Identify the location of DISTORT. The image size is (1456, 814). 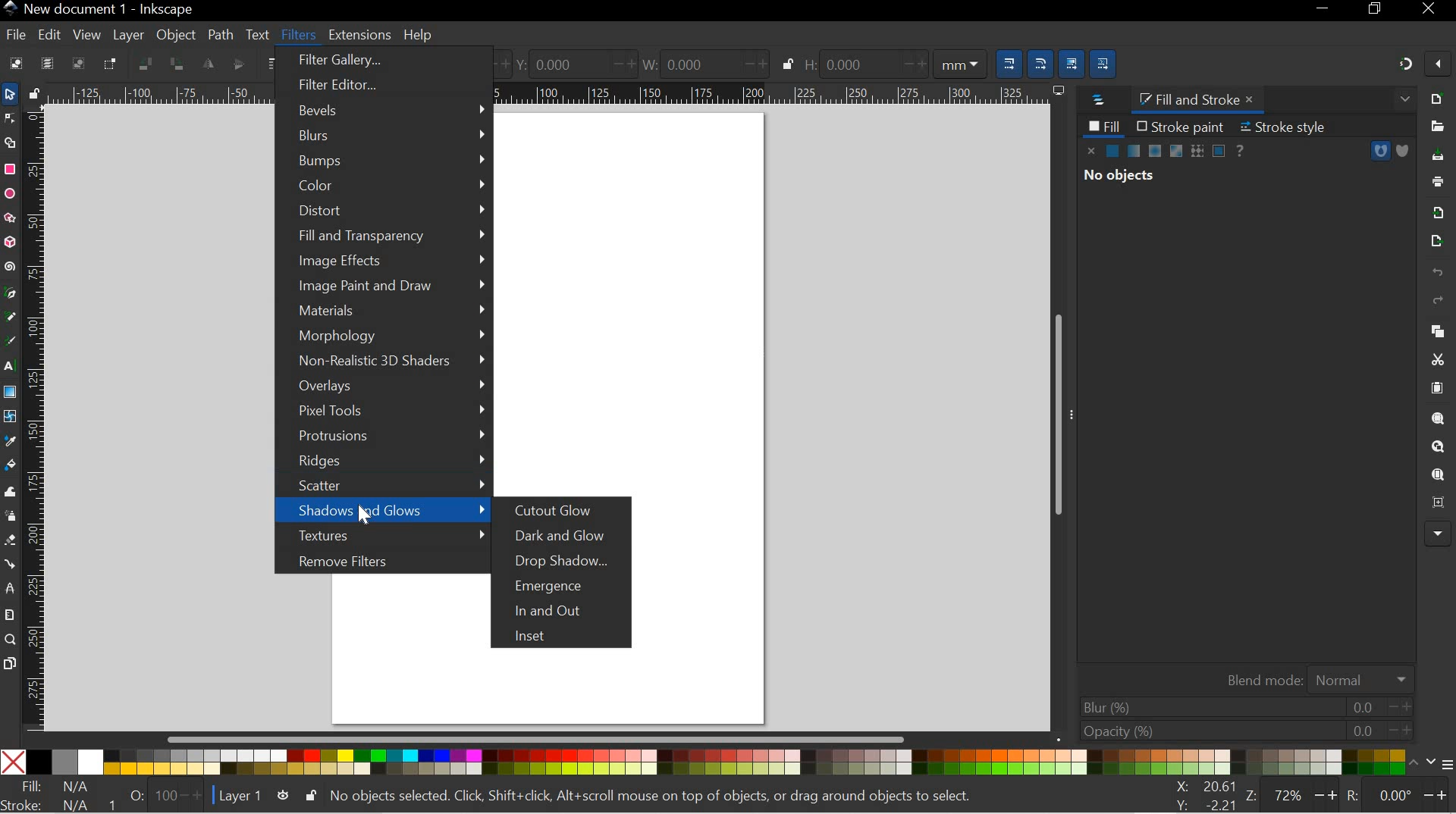
(384, 213).